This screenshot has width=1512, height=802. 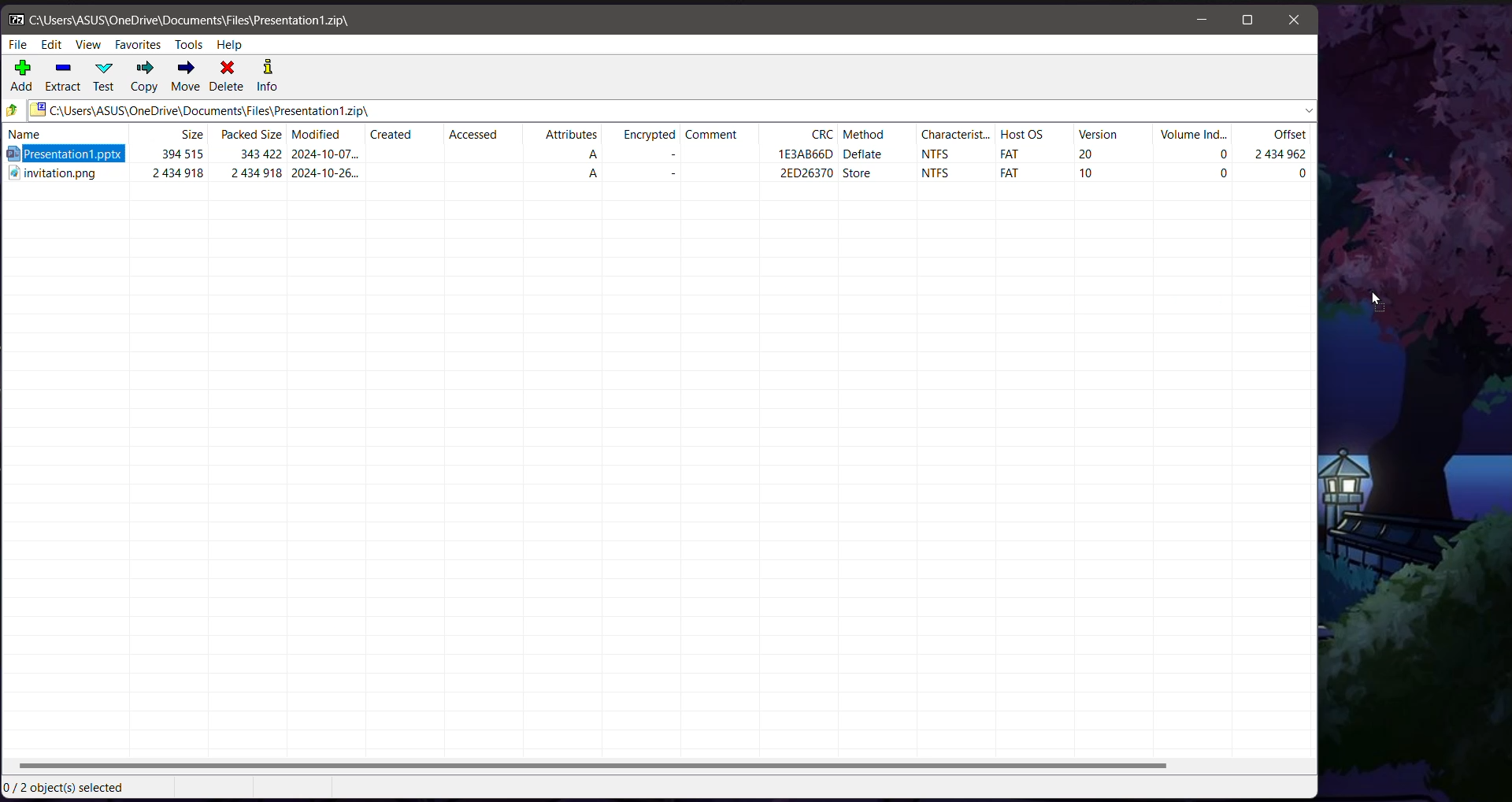 I want to click on CRC , so click(x=824, y=135).